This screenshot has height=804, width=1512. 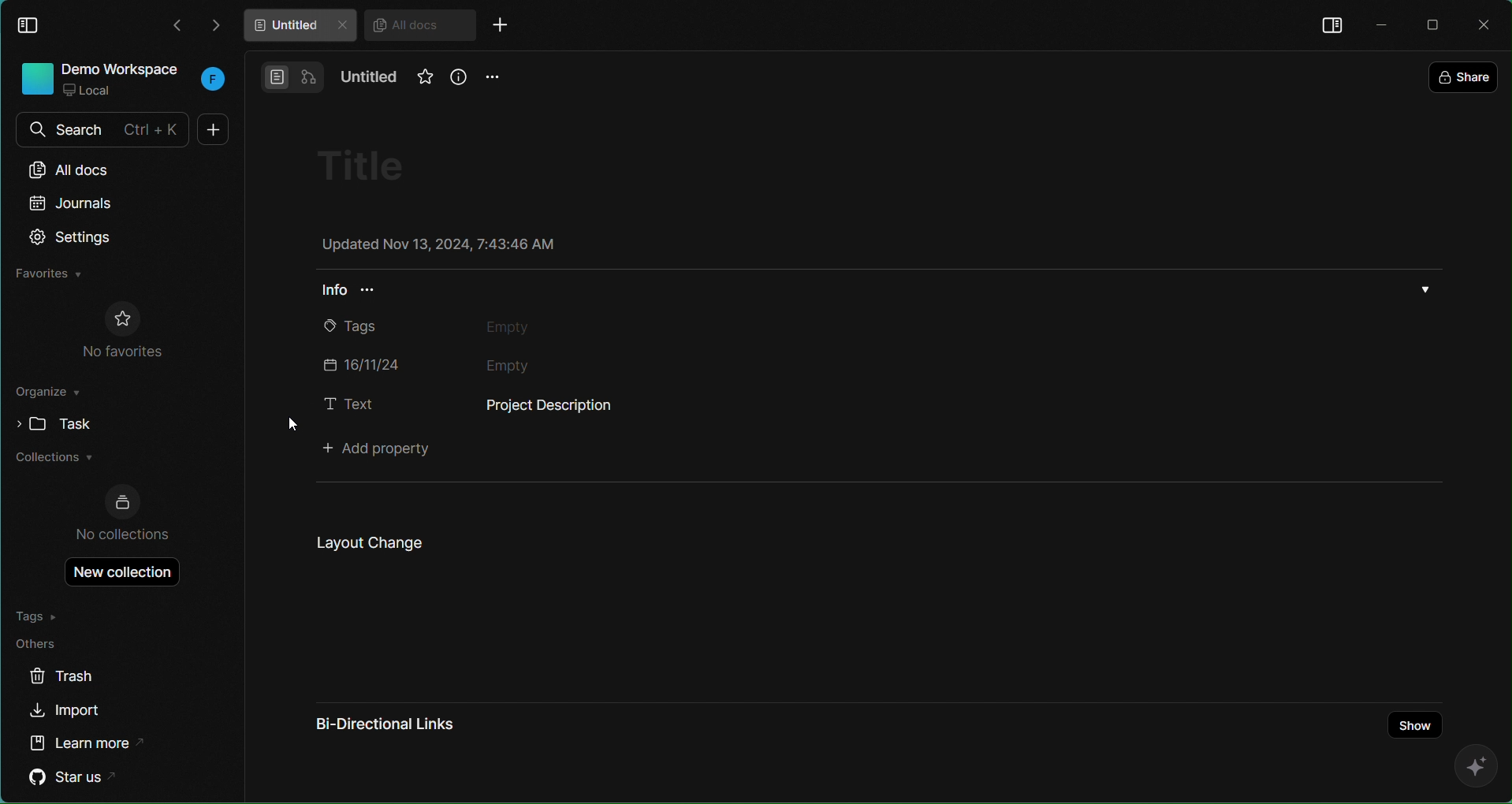 What do you see at coordinates (73, 203) in the screenshot?
I see `journals` at bounding box center [73, 203].